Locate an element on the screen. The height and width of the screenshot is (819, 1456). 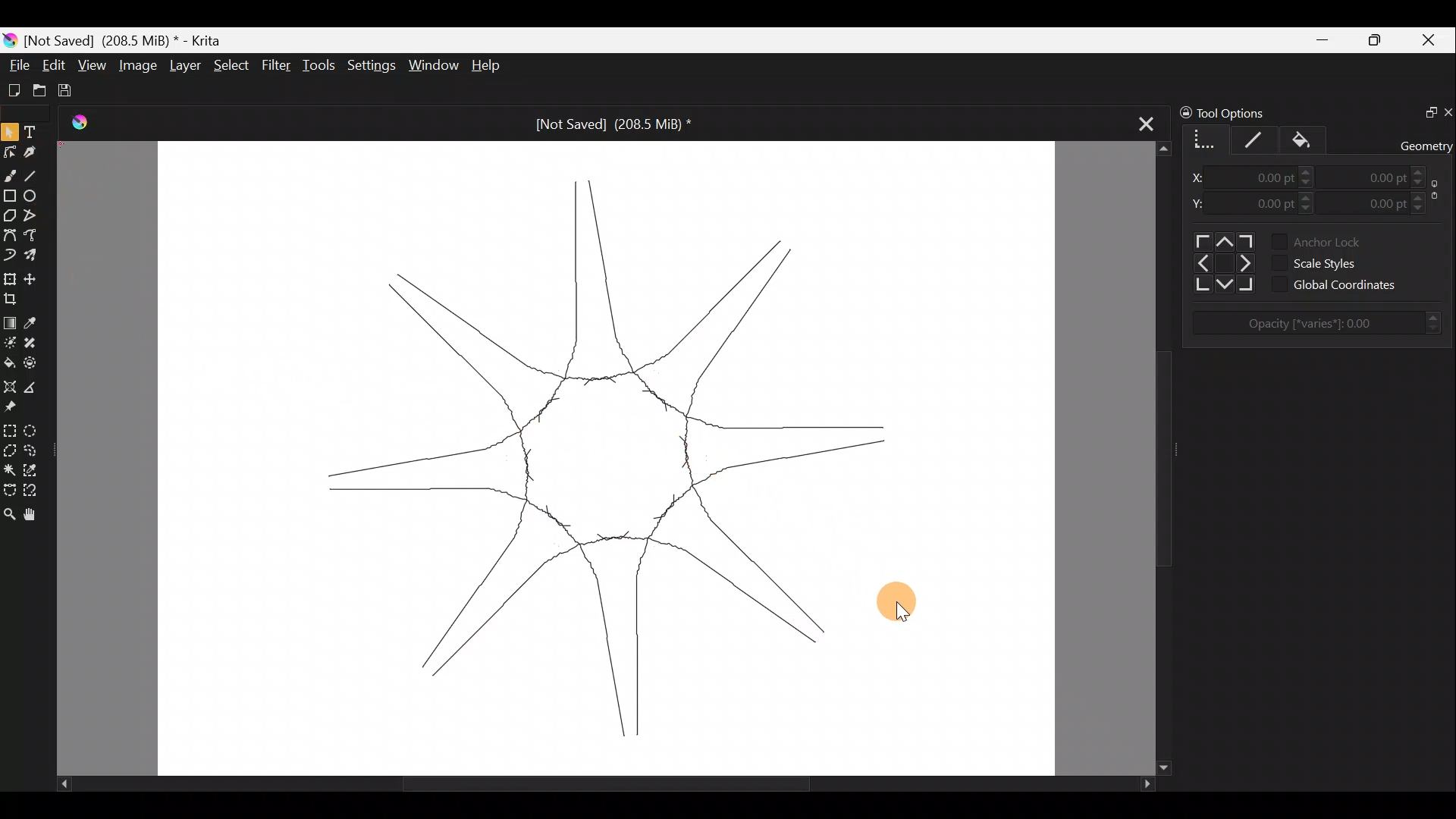
Close docker is located at coordinates (1447, 109).